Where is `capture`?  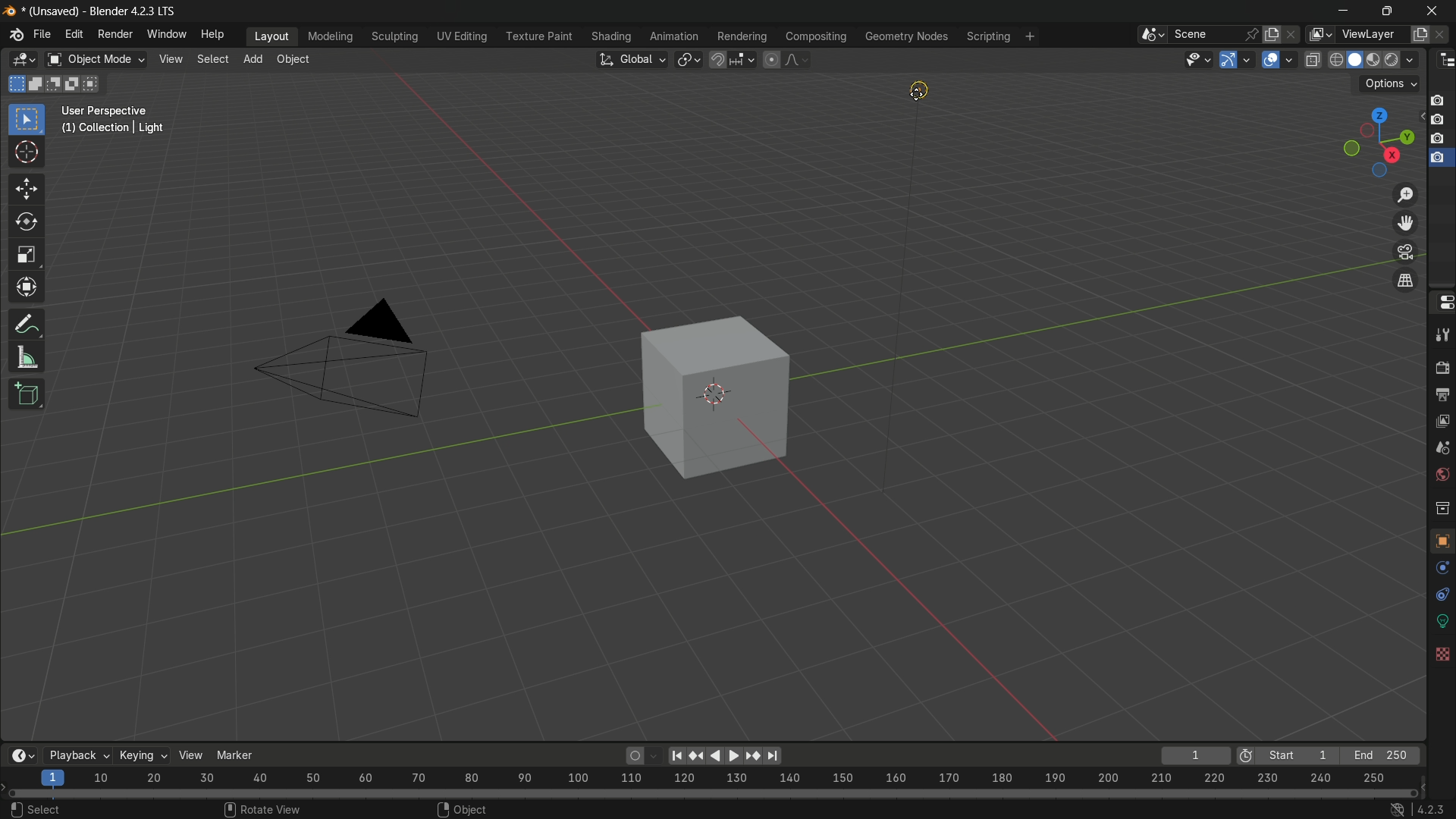 capture is located at coordinates (1438, 140).